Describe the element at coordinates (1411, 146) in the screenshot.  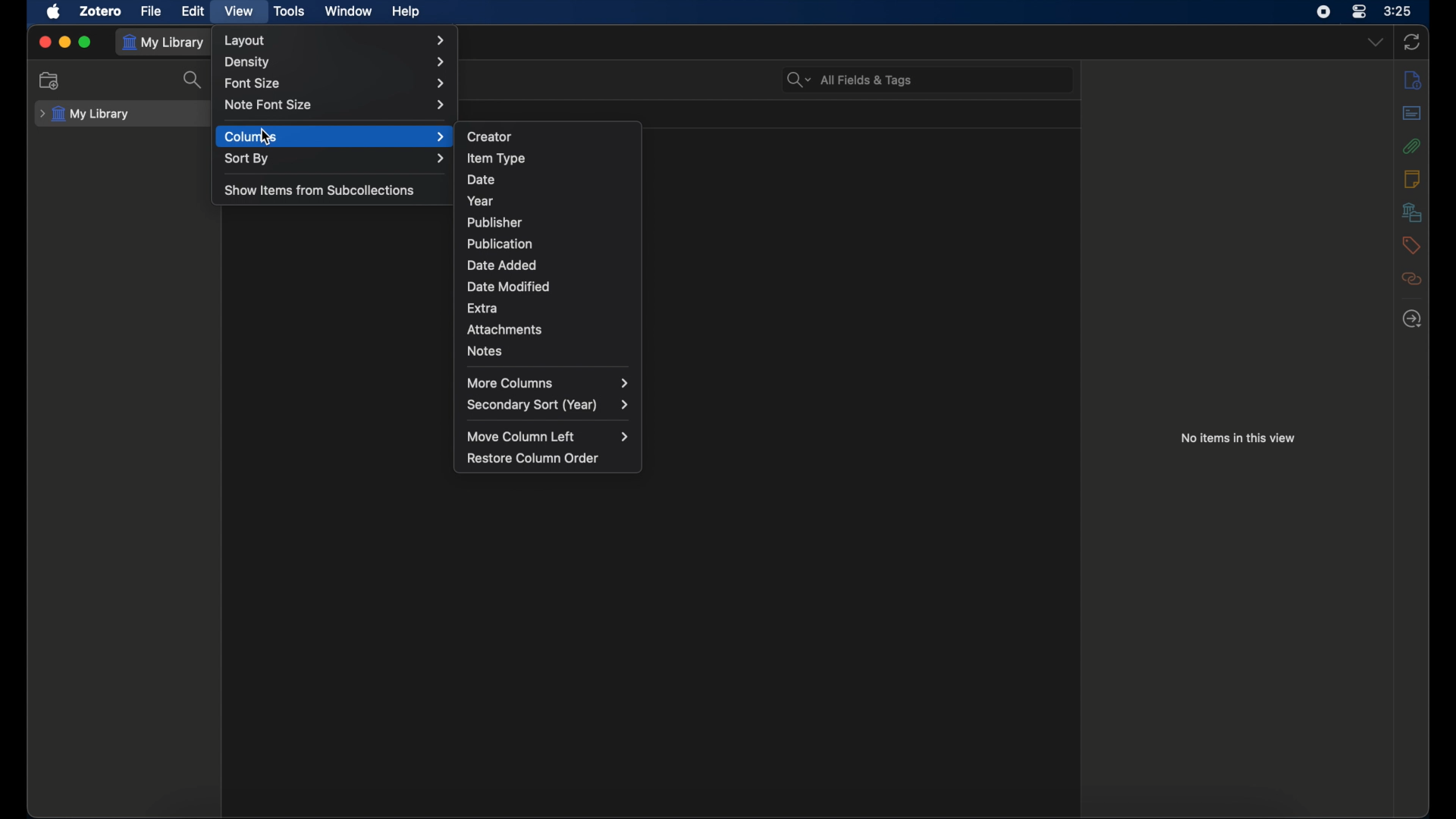
I see `attachments` at that location.